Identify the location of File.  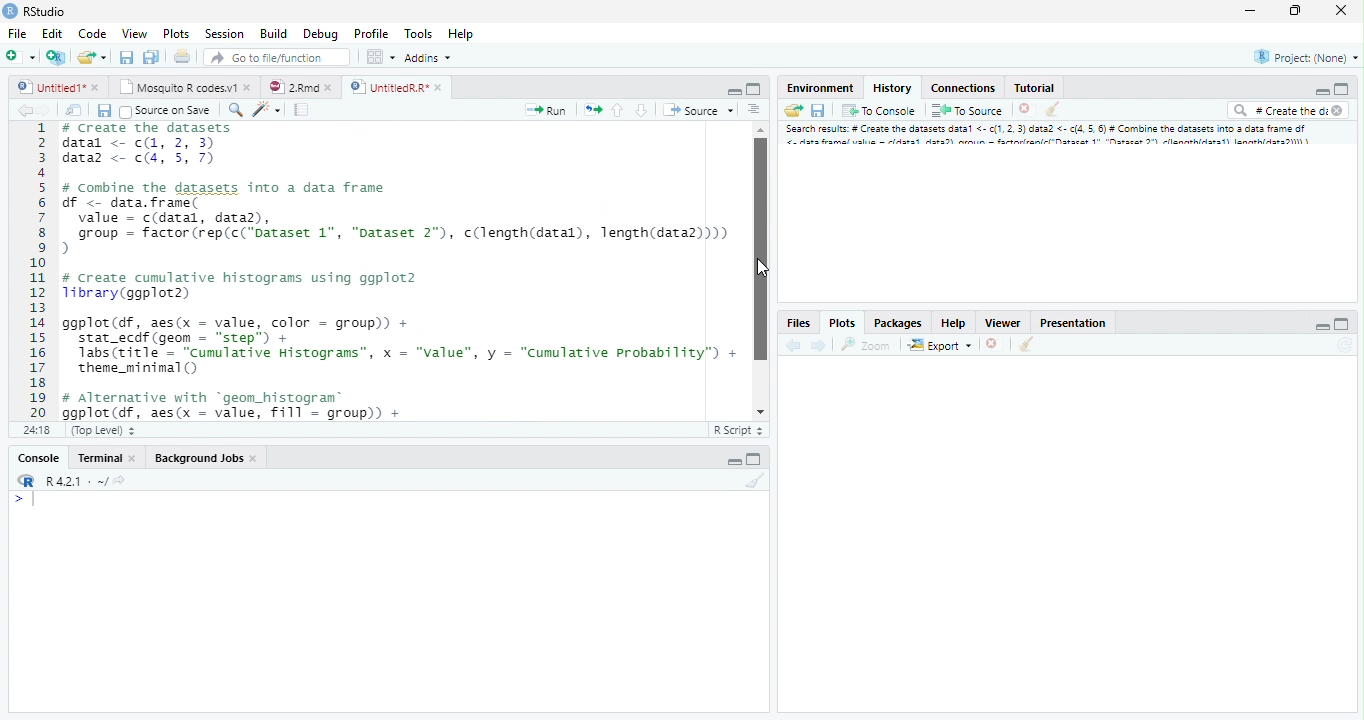
(17, 35).